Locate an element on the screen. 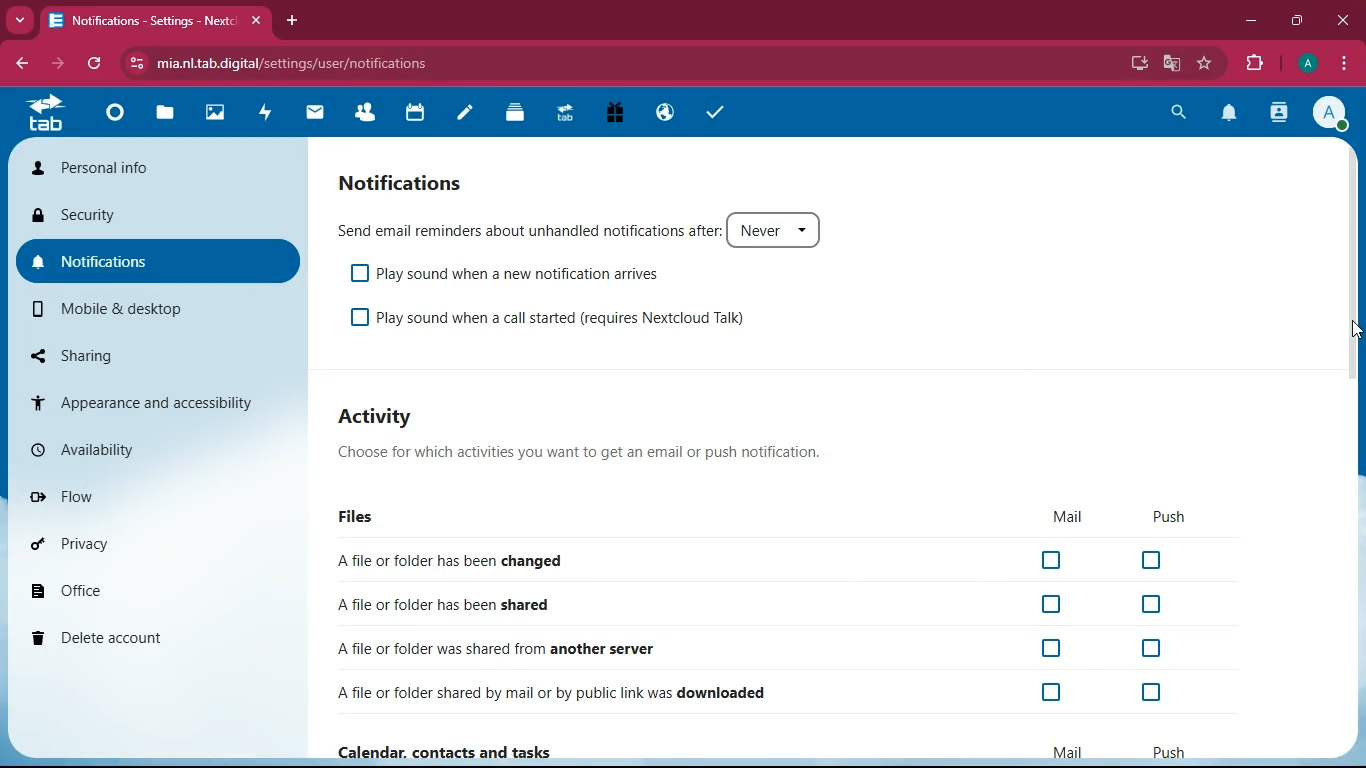  forward is located at coordinates (55, 64).